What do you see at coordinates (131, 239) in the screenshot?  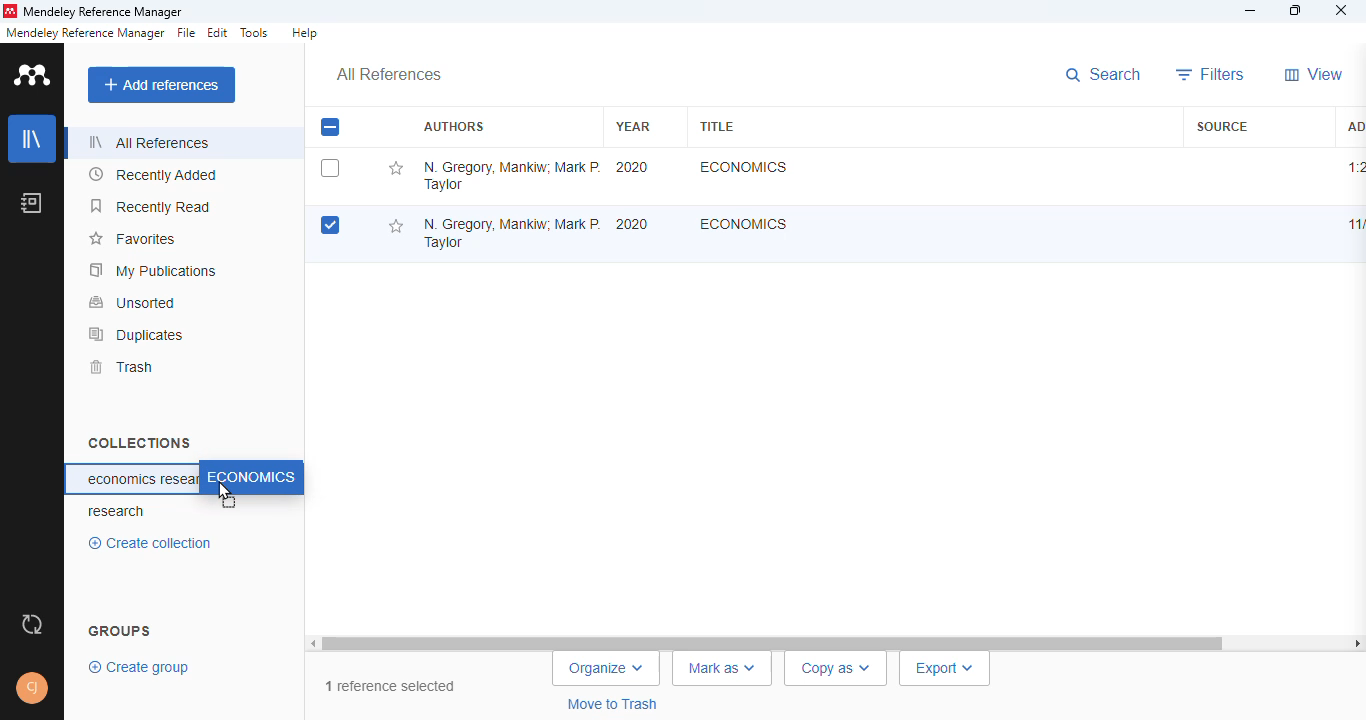 I see `favorites` at bounding box center [131, 239].